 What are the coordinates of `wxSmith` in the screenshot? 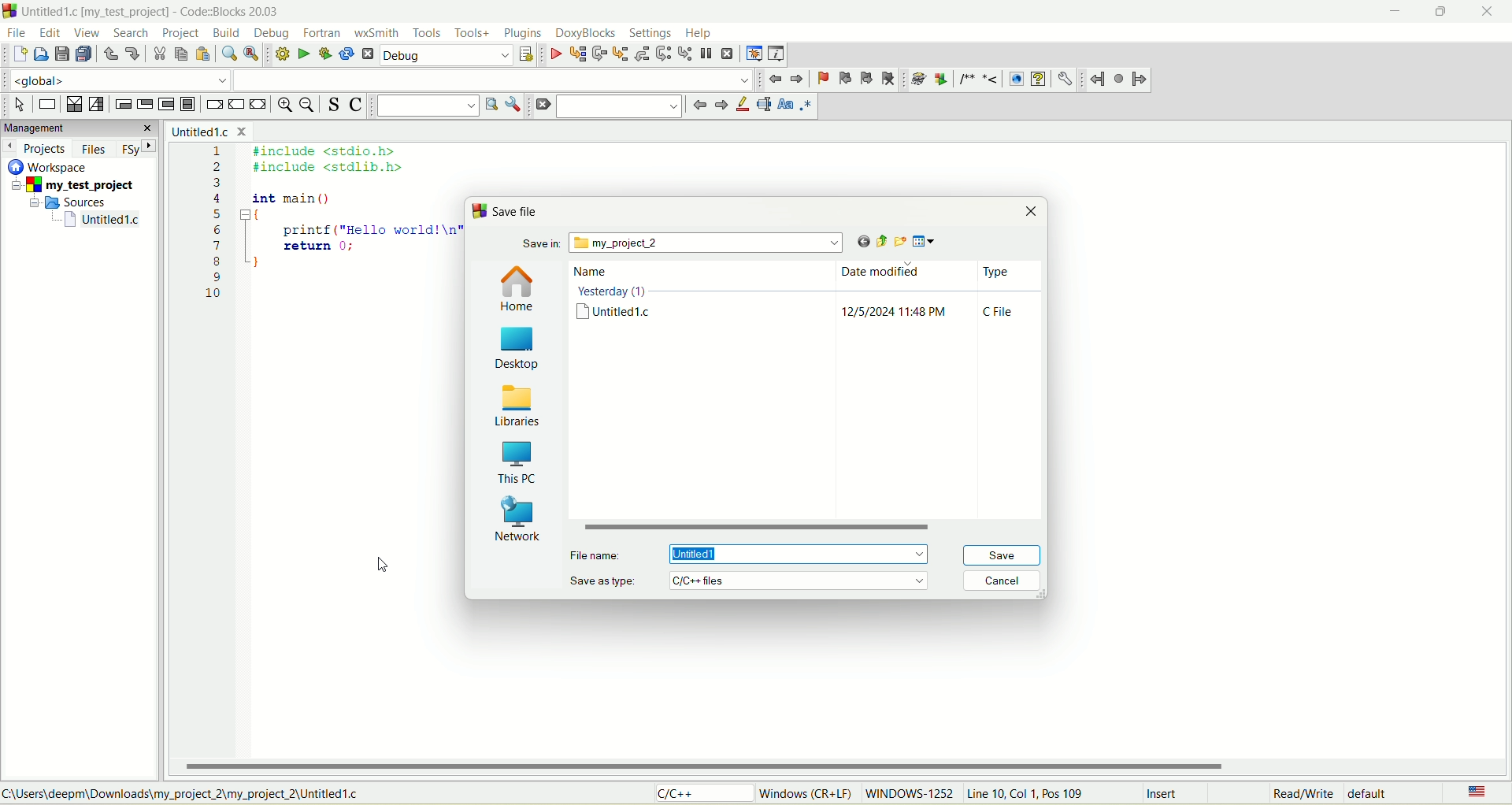 It's located at (379, 35).